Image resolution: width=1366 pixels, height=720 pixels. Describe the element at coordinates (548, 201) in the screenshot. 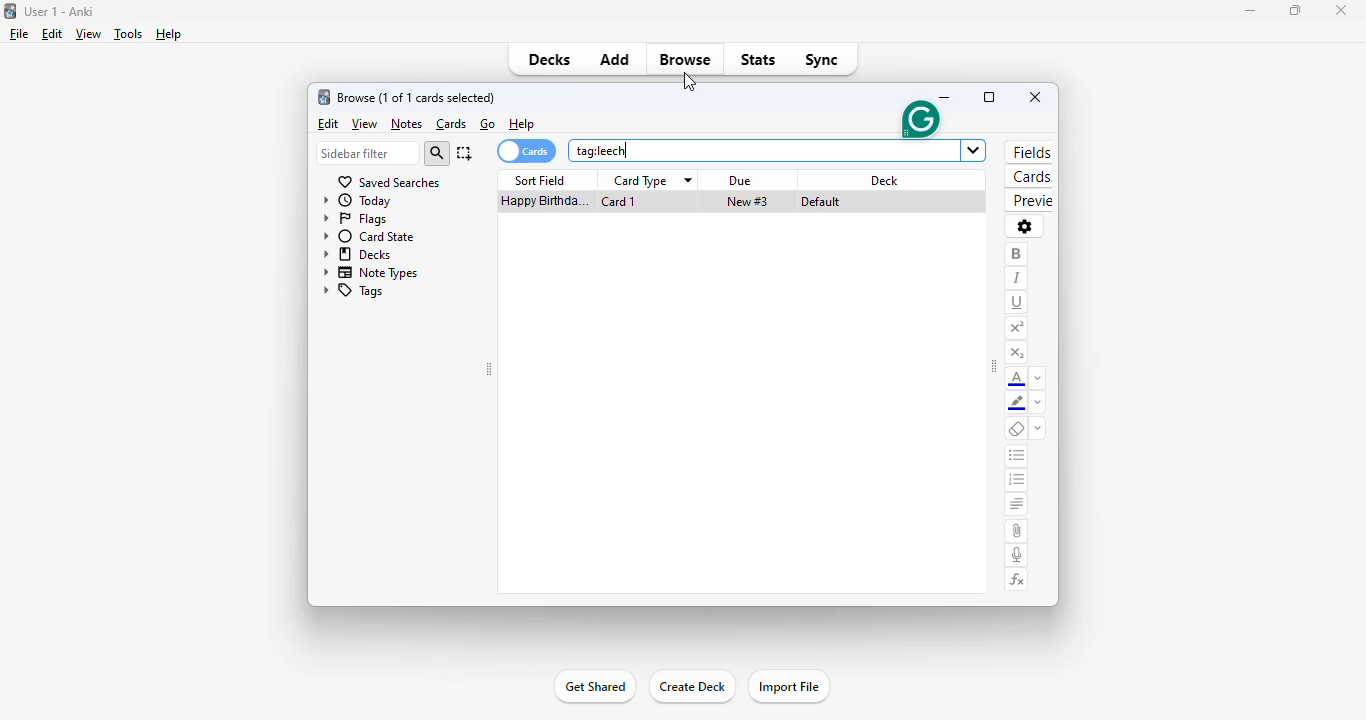

I see `happy birthday song!!!.mp3` at that location.